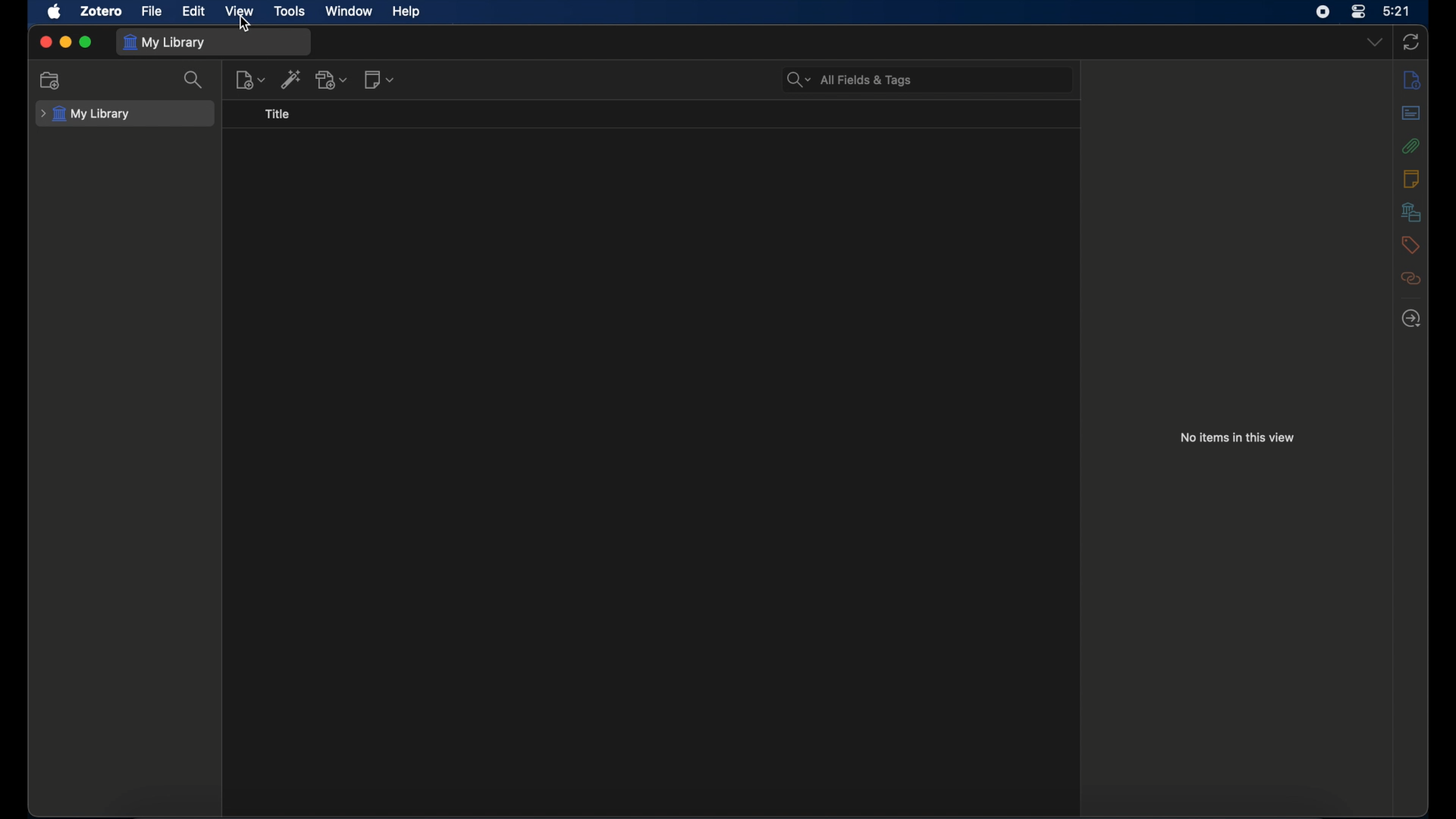 The height and width of the screenshot is (819, 1456). Describe the element at coordinates (1359, 11) in the screenshot. I see `control center` at that location.